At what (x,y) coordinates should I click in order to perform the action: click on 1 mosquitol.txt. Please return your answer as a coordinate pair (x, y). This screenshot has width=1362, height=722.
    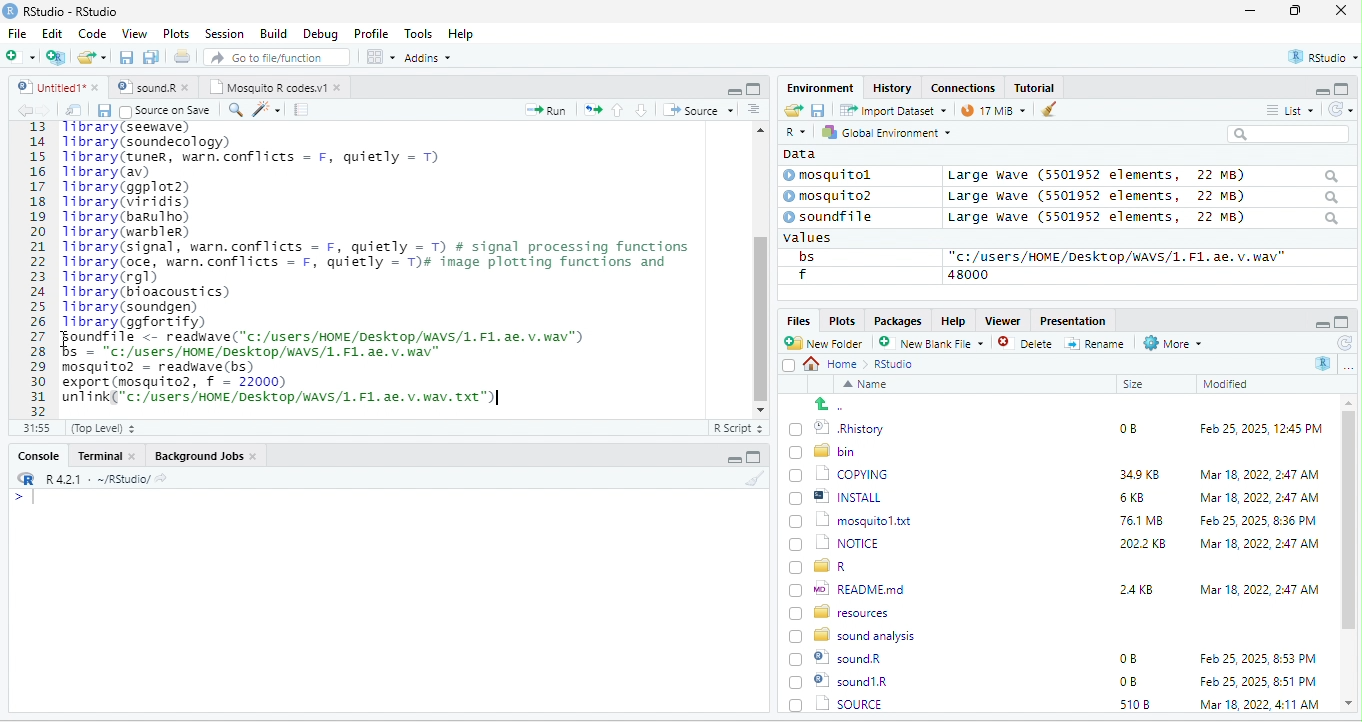
    Looking at the image, I should click on (844, 519).